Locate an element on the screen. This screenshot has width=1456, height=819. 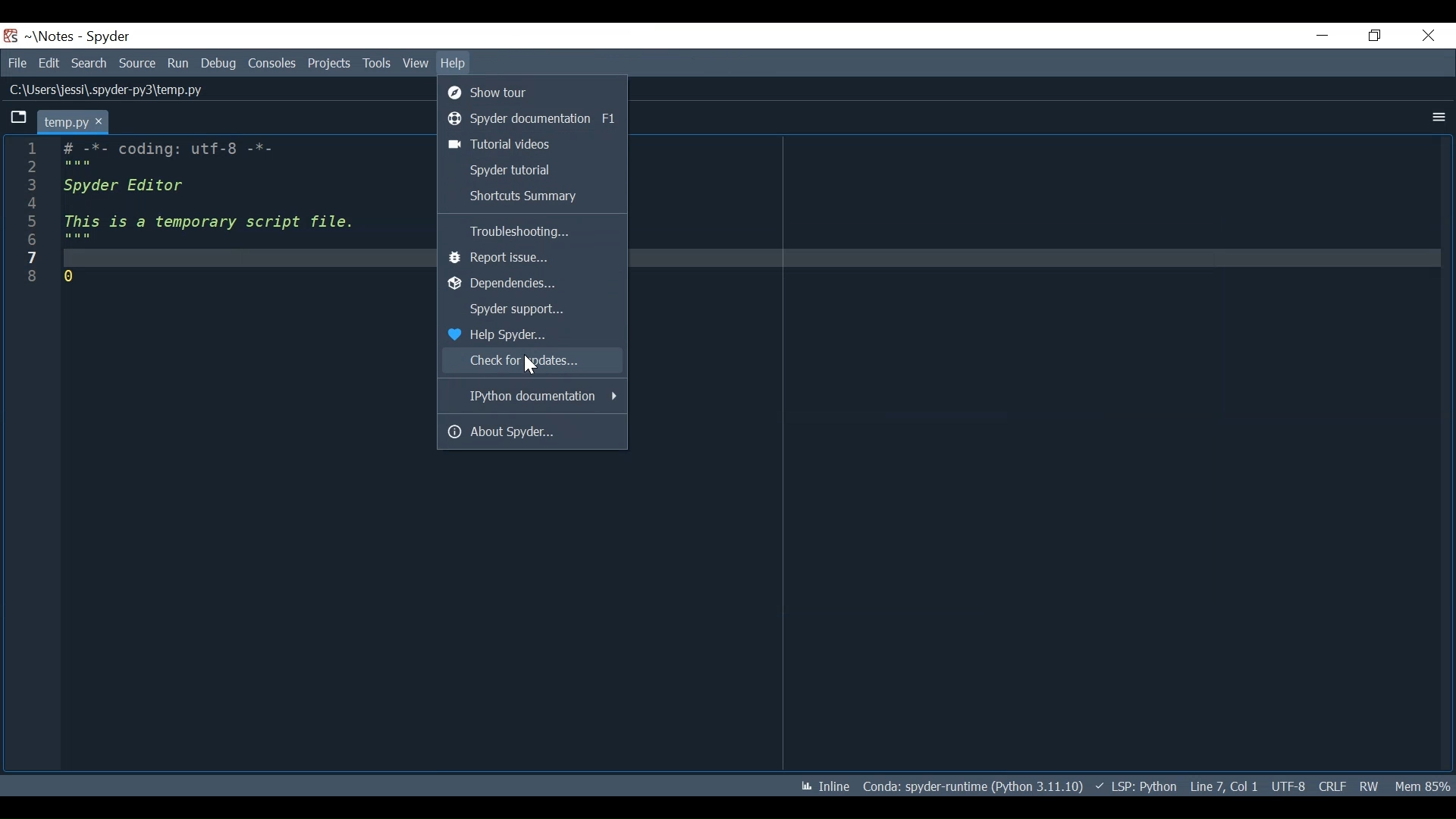
Restore is located at coordinates (1374, 35).